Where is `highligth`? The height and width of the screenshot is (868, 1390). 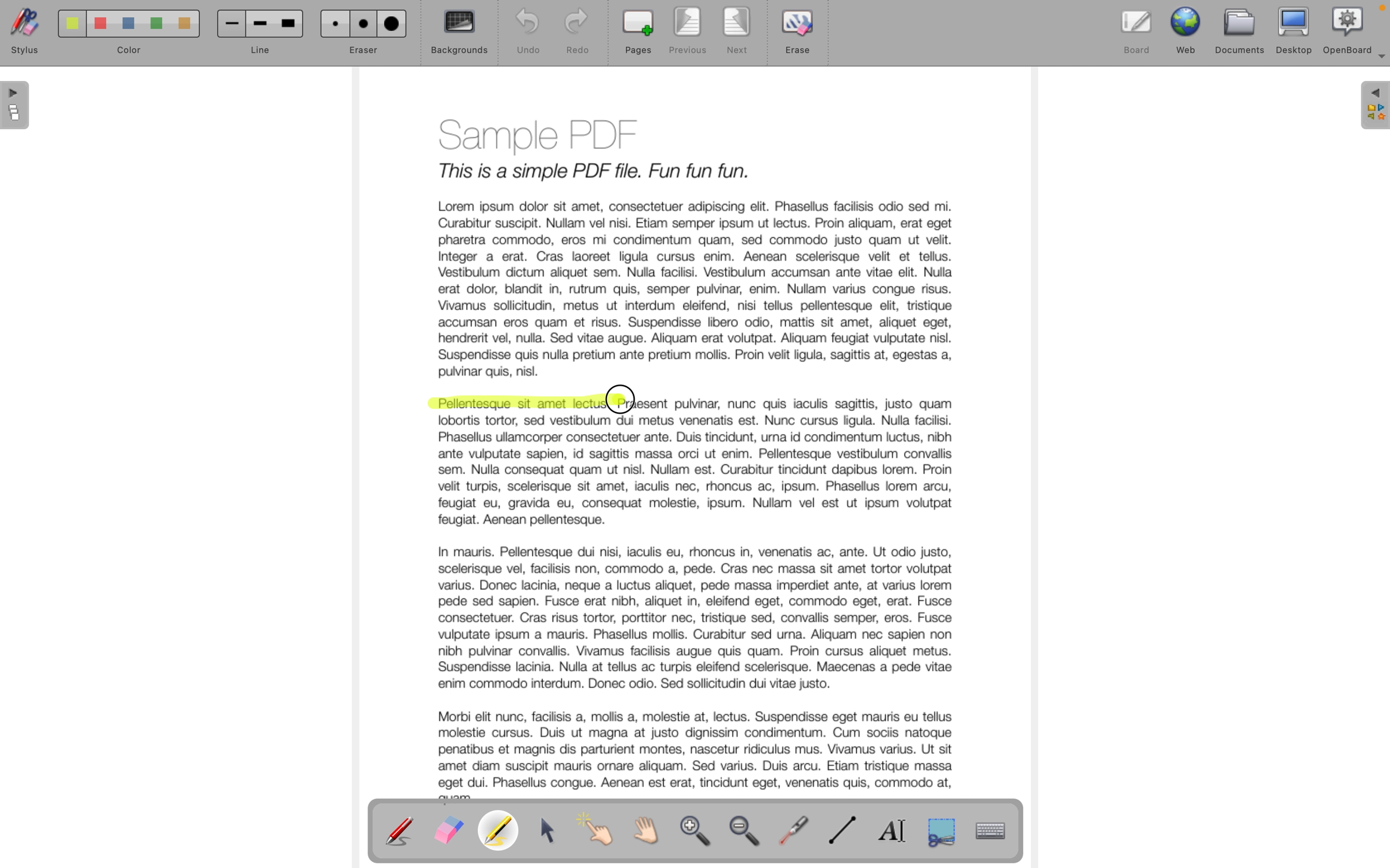 highligth is located at coordinates (501, 832).